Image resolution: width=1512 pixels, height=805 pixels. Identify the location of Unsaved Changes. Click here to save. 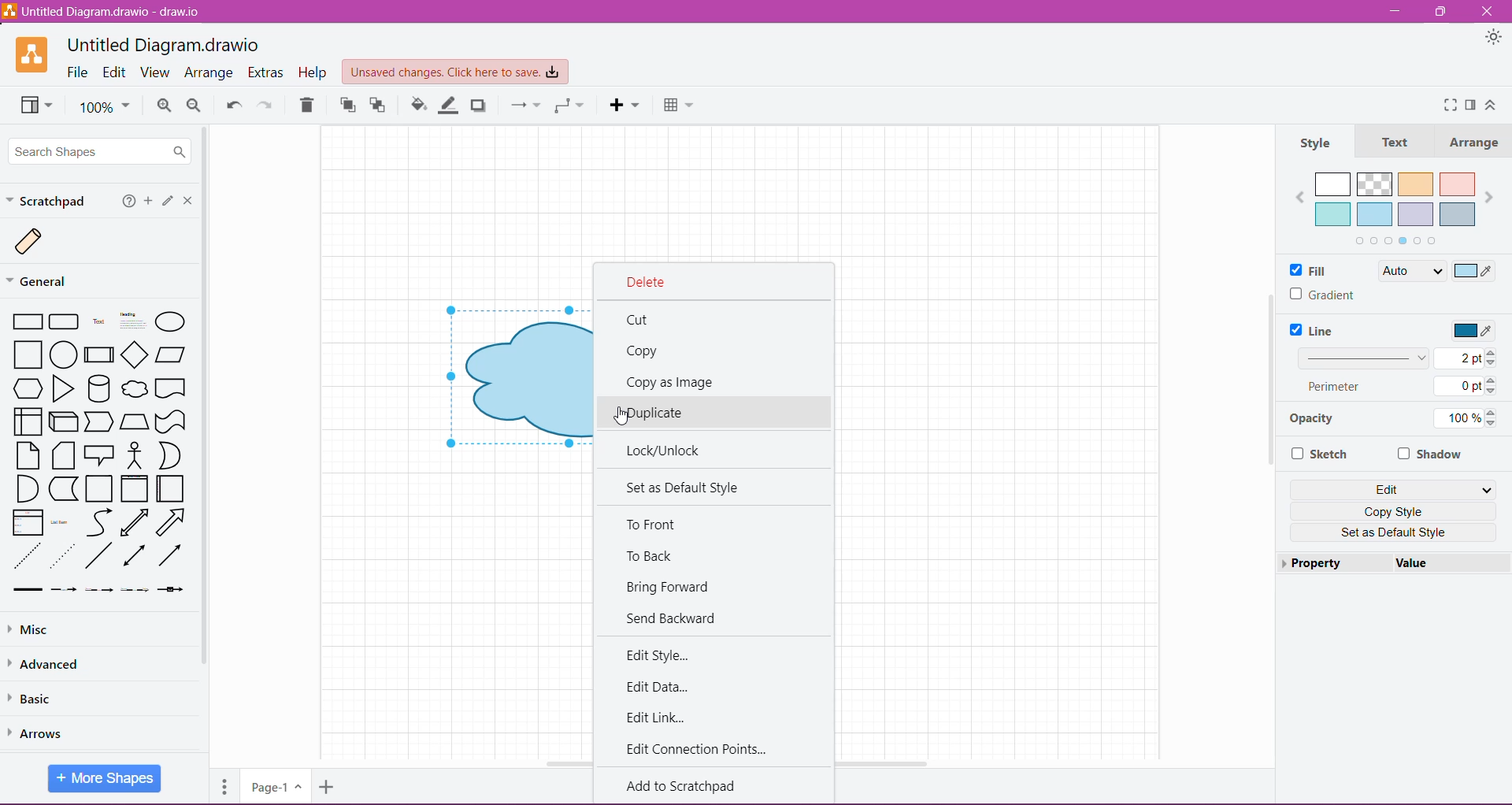
(454, 72).